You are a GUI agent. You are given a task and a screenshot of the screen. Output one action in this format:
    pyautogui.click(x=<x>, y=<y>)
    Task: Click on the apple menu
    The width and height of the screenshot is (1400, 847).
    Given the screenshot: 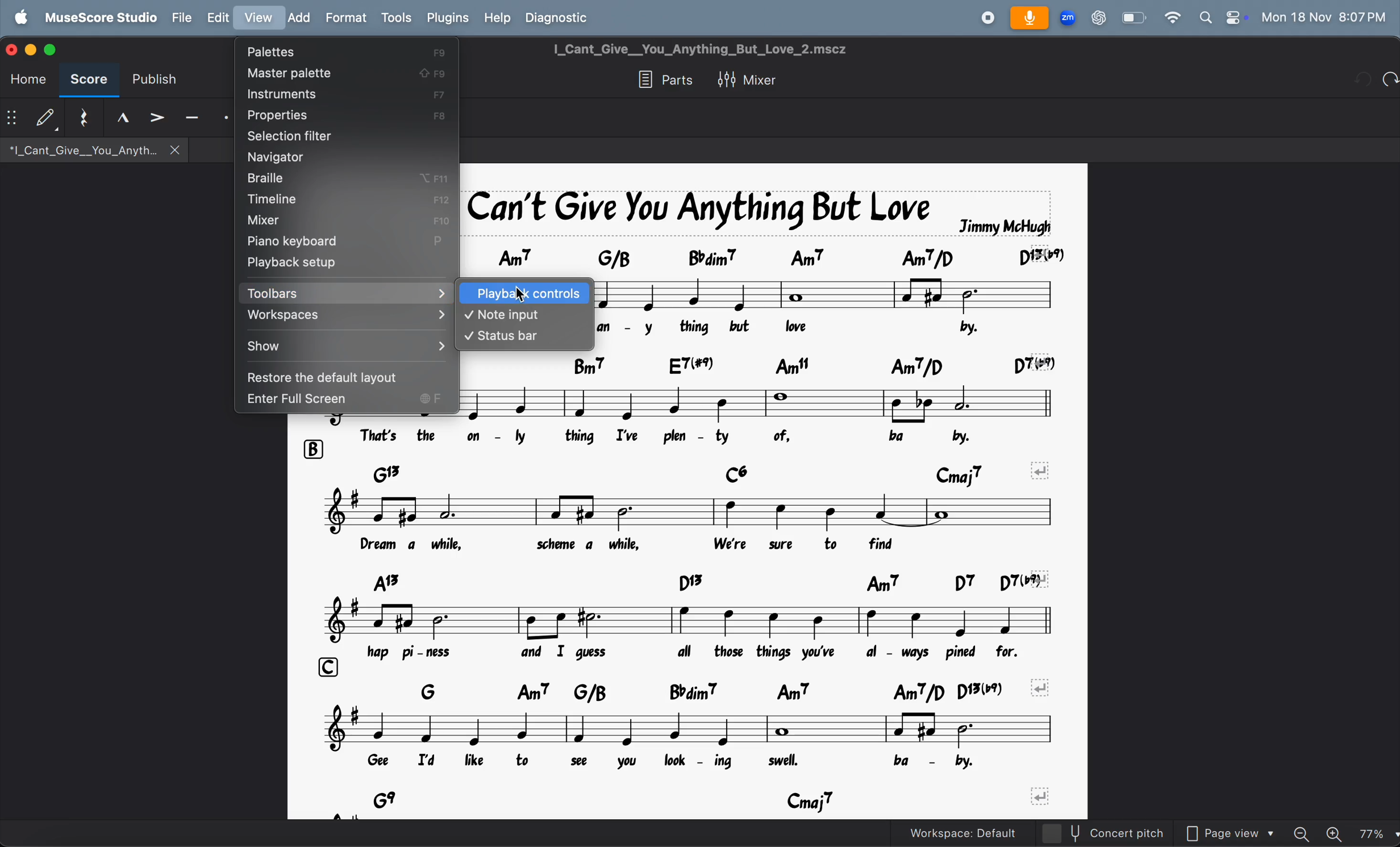 What is the action you would take?
    pyautogui.click(x=18, y=18)
    